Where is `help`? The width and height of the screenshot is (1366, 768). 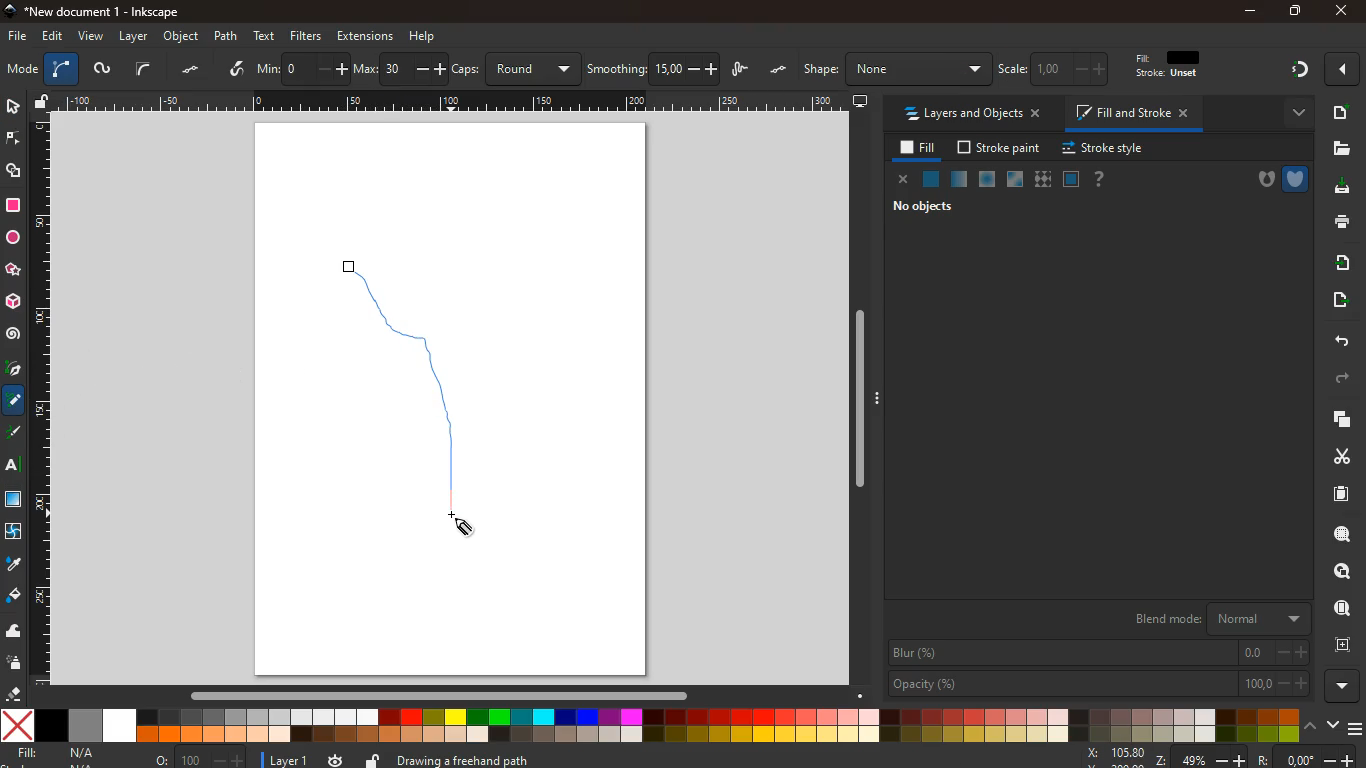
help is located at coordinates (1097, 179).